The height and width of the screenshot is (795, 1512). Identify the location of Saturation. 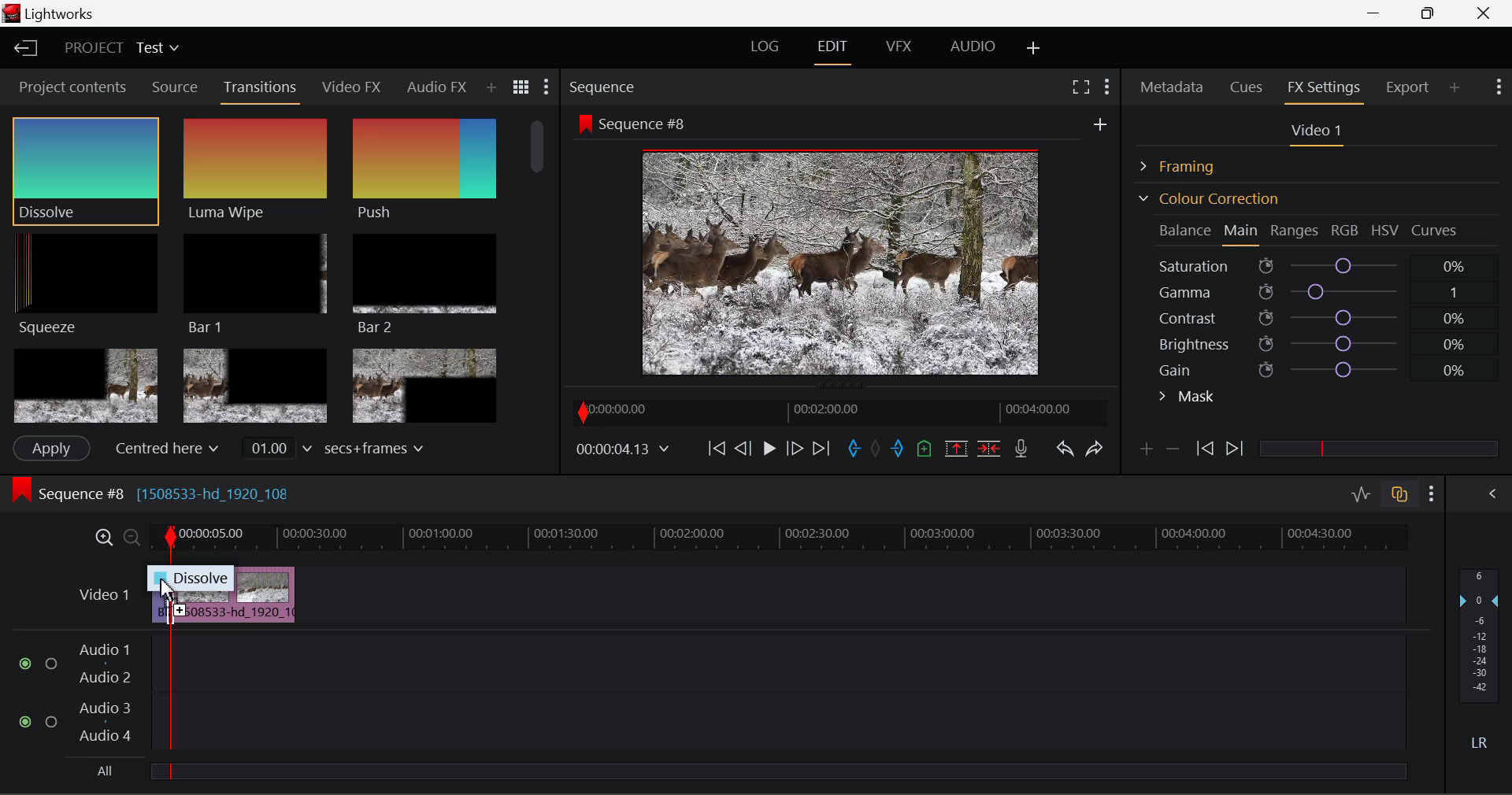
(1314, 263).